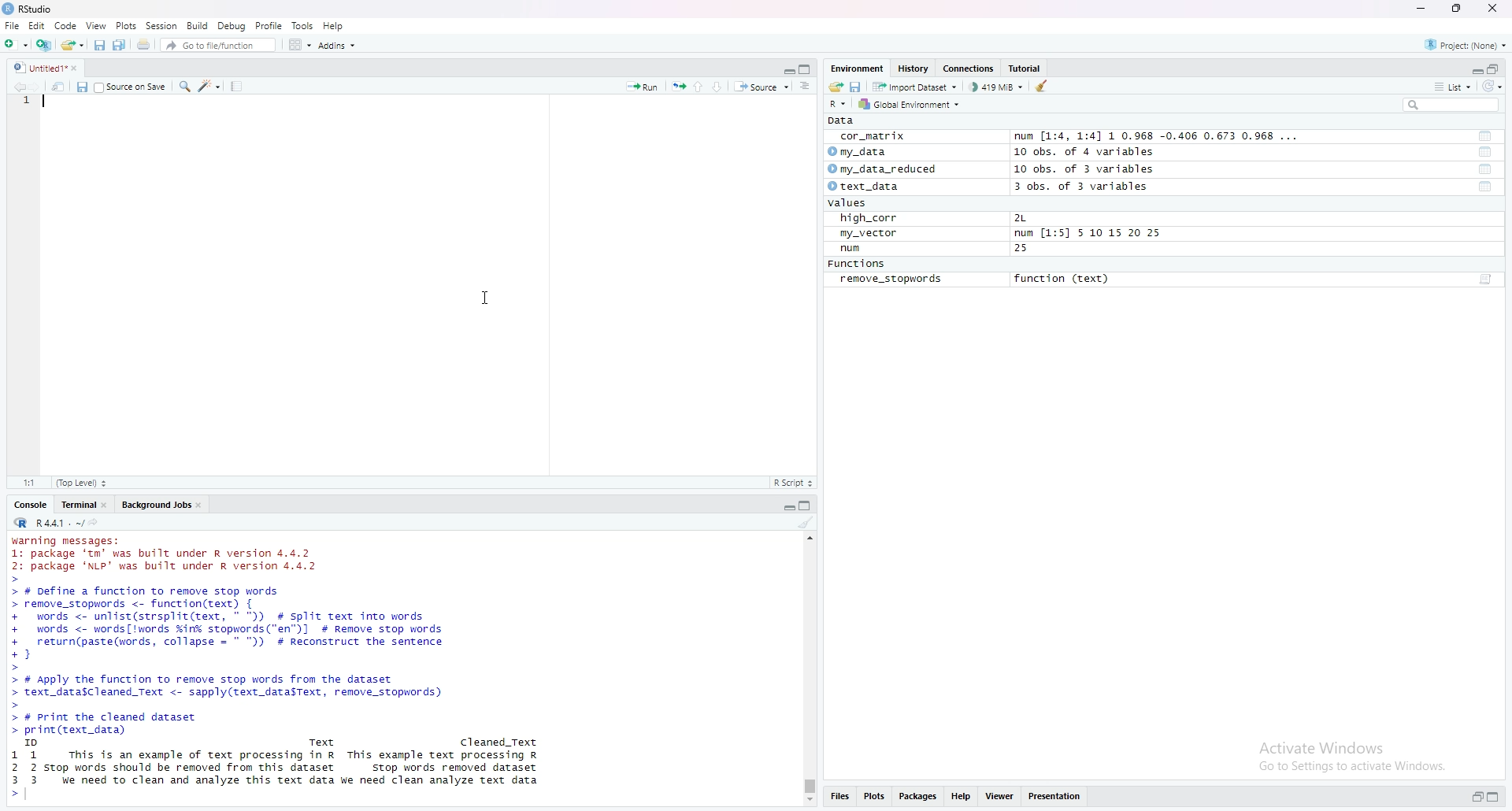 This screenshot has width=1512, height=811. Describe the element at coordinates (230, 25) in the screenshot. I see `Debug` at that location.